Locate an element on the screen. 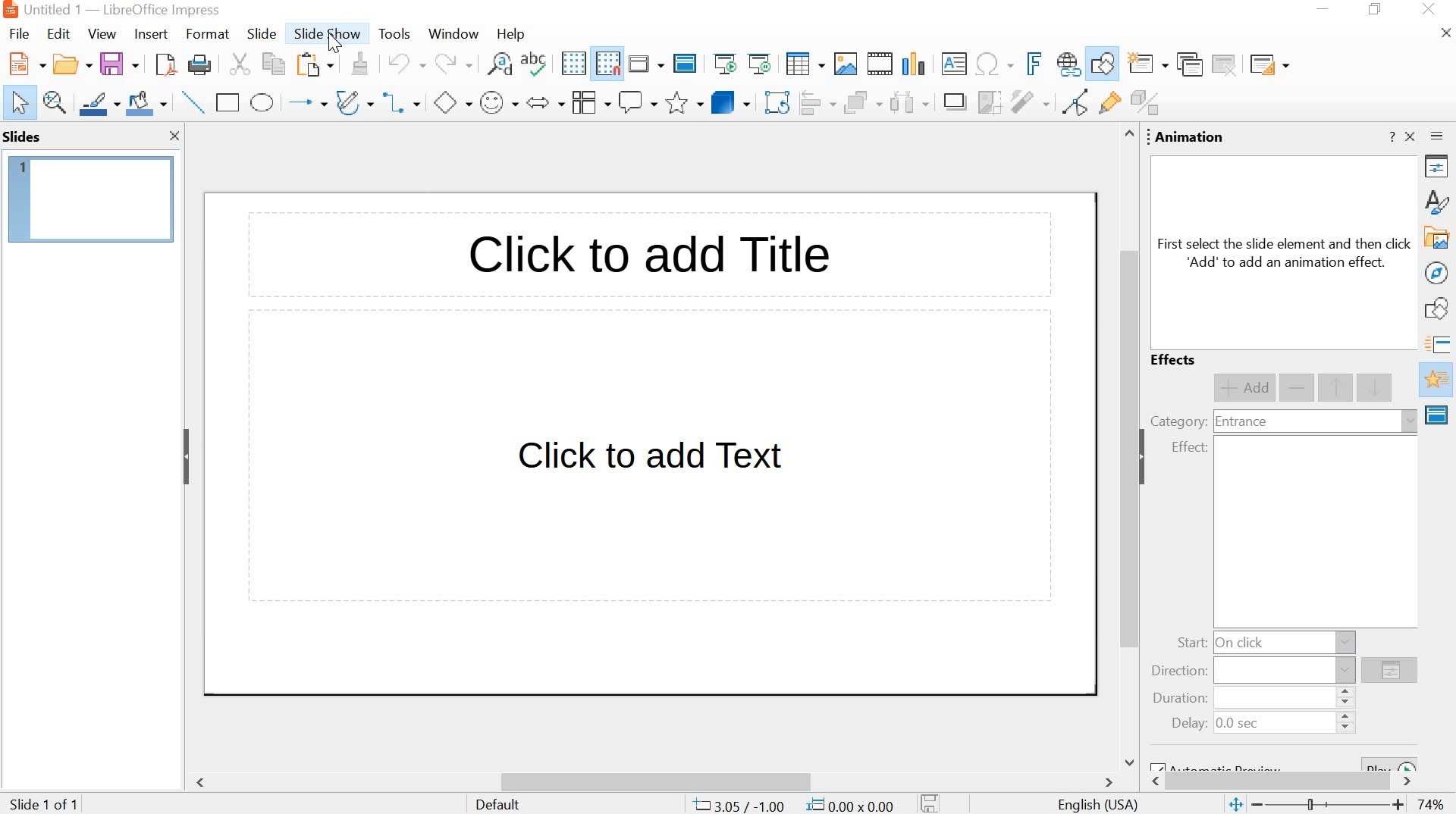 Image resolution: width=1456 pixels, height=814 pixels. collapse is located at coordinates (1147, 457).